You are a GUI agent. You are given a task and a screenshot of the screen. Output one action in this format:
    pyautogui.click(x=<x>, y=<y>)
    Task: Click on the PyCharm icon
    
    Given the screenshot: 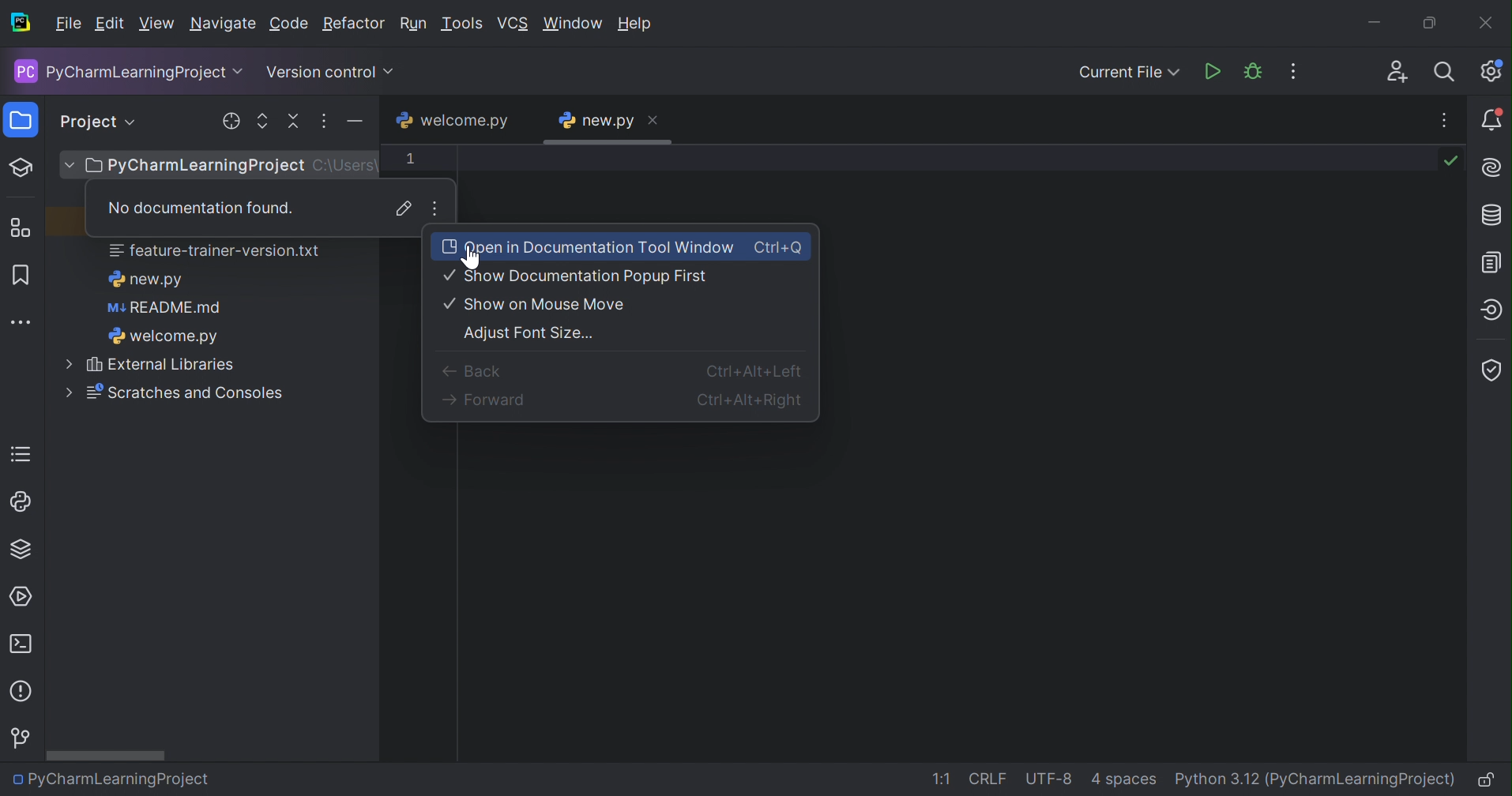 What is the action you would take?
    pyautogui.click(x=21, y=24)
    